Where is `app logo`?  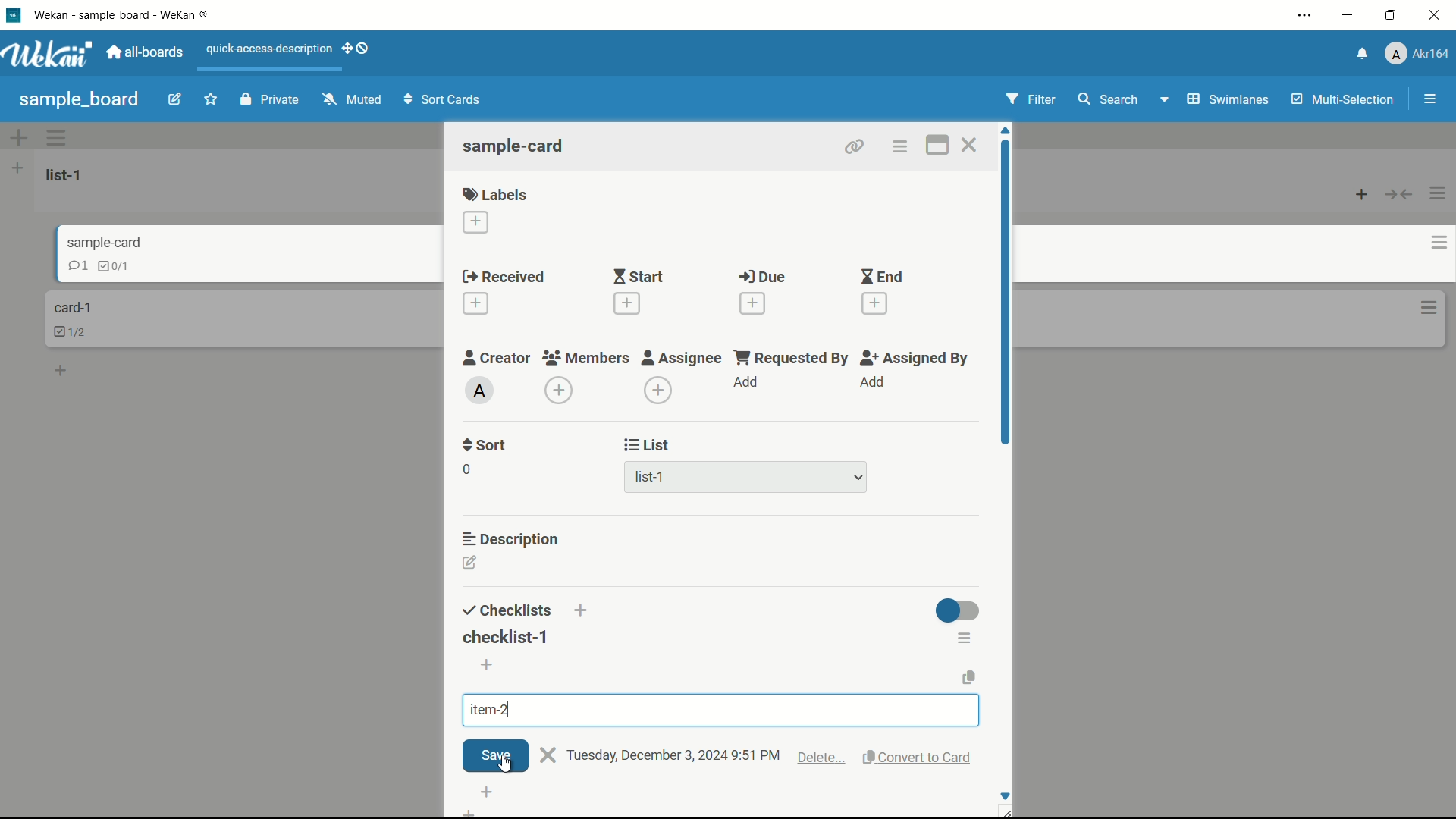 app logo is located at coordinates (49, 53).